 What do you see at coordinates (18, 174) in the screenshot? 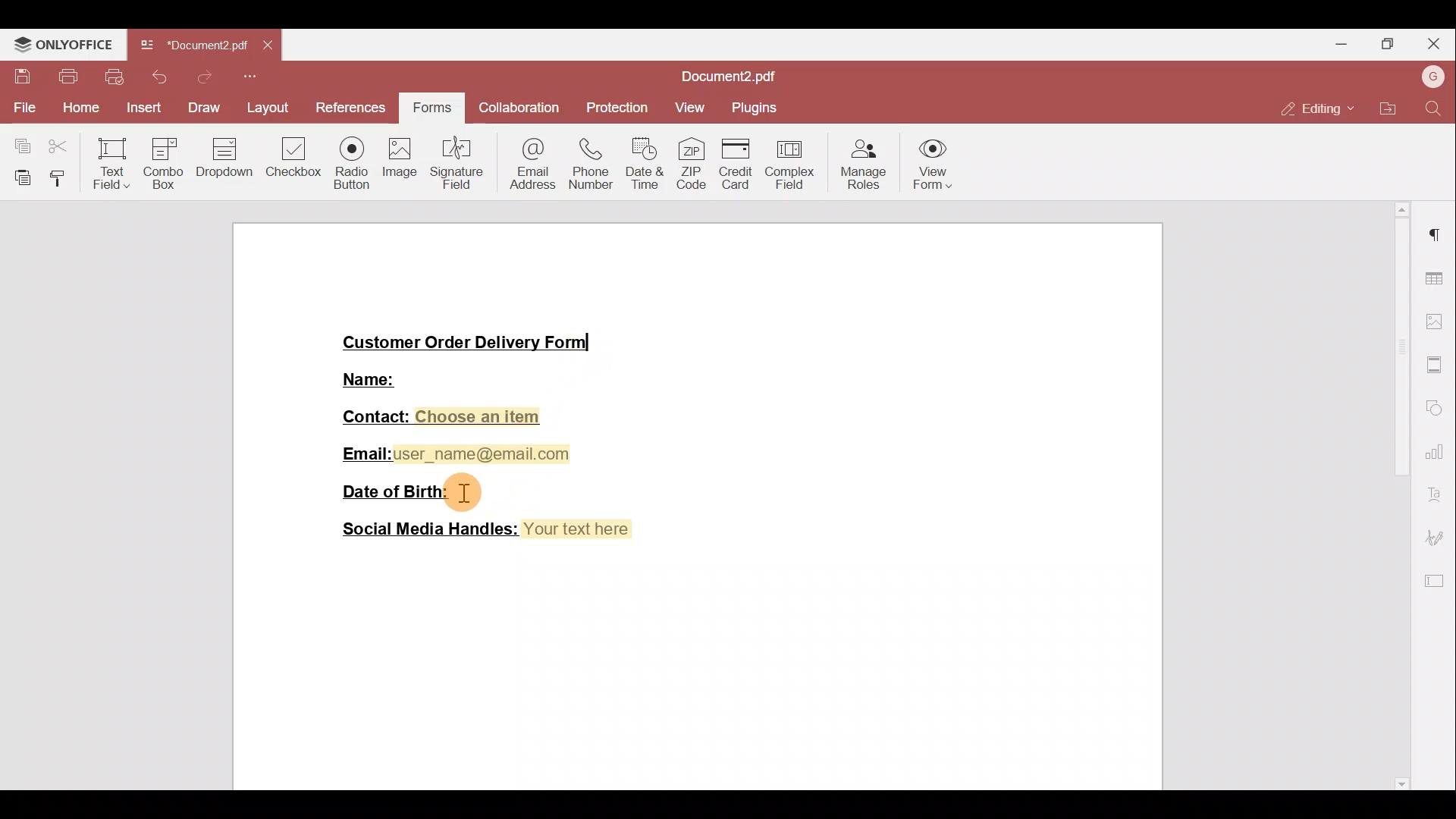
I see `Paste` at bounding box center [18, 174].